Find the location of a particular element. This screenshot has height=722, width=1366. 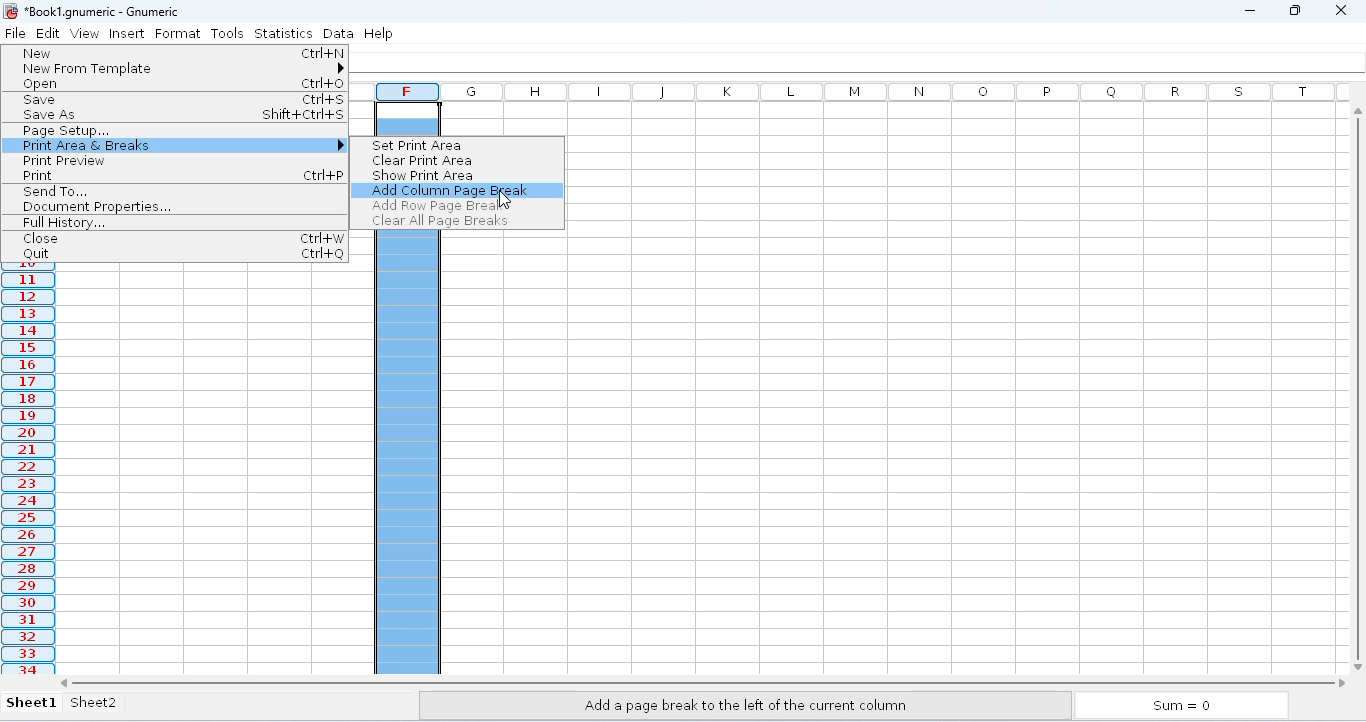

document properties is located at coordinates (96, 207).